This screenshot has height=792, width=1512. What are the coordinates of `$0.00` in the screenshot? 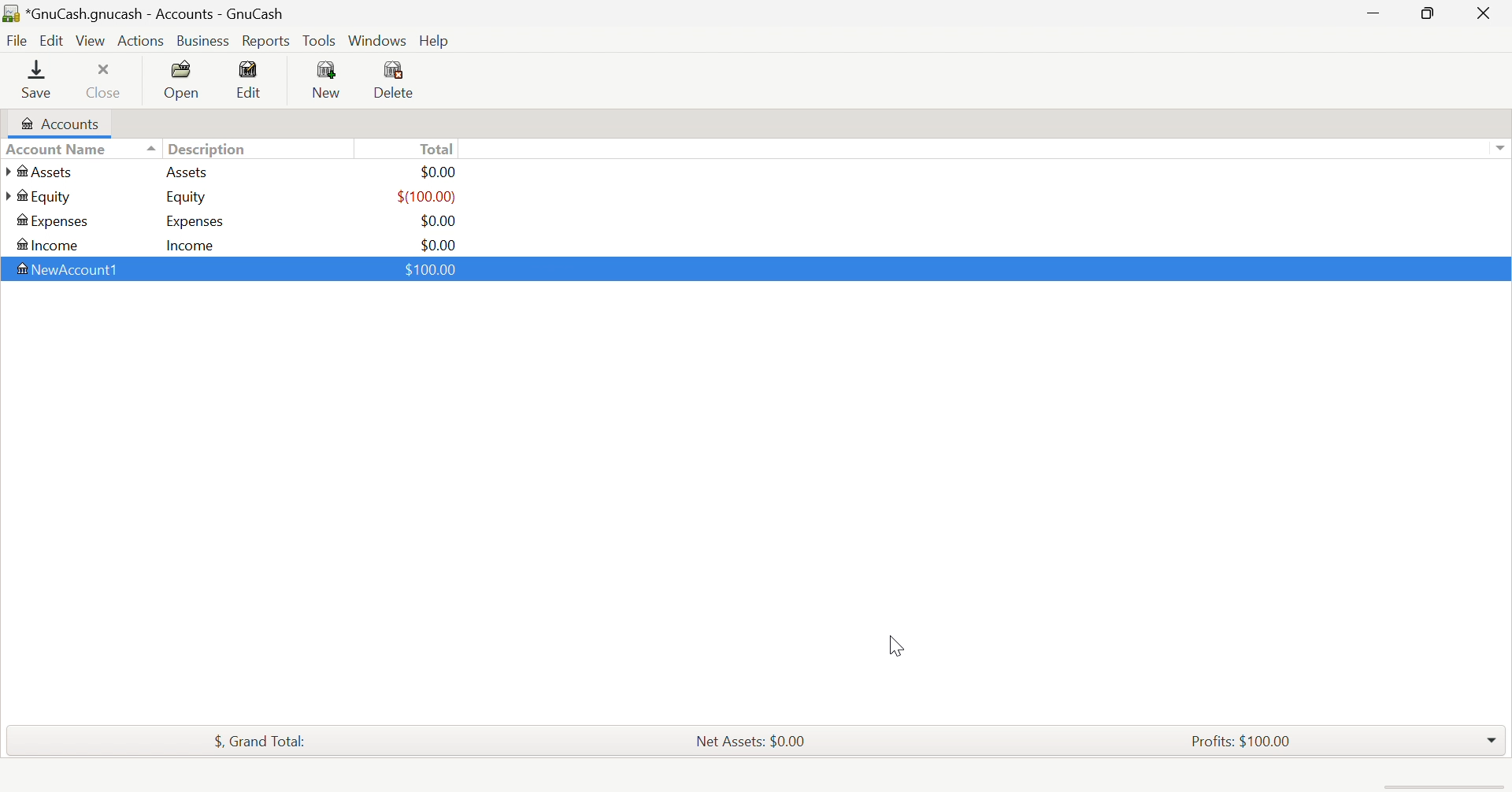 It's located at (440, 220).